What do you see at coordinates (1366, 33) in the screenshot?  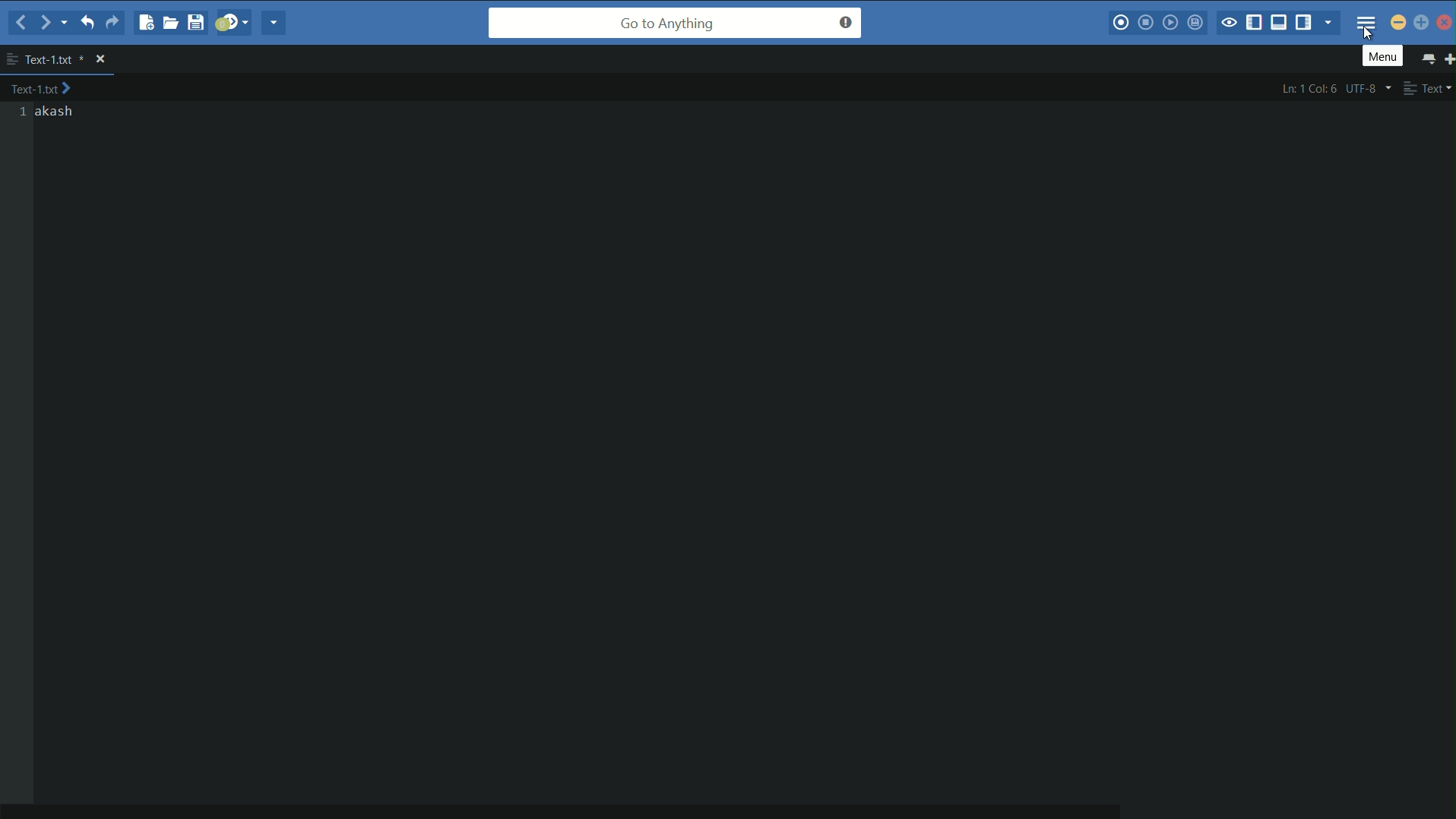 I see `cursor` at bounding box center [1366, 33].